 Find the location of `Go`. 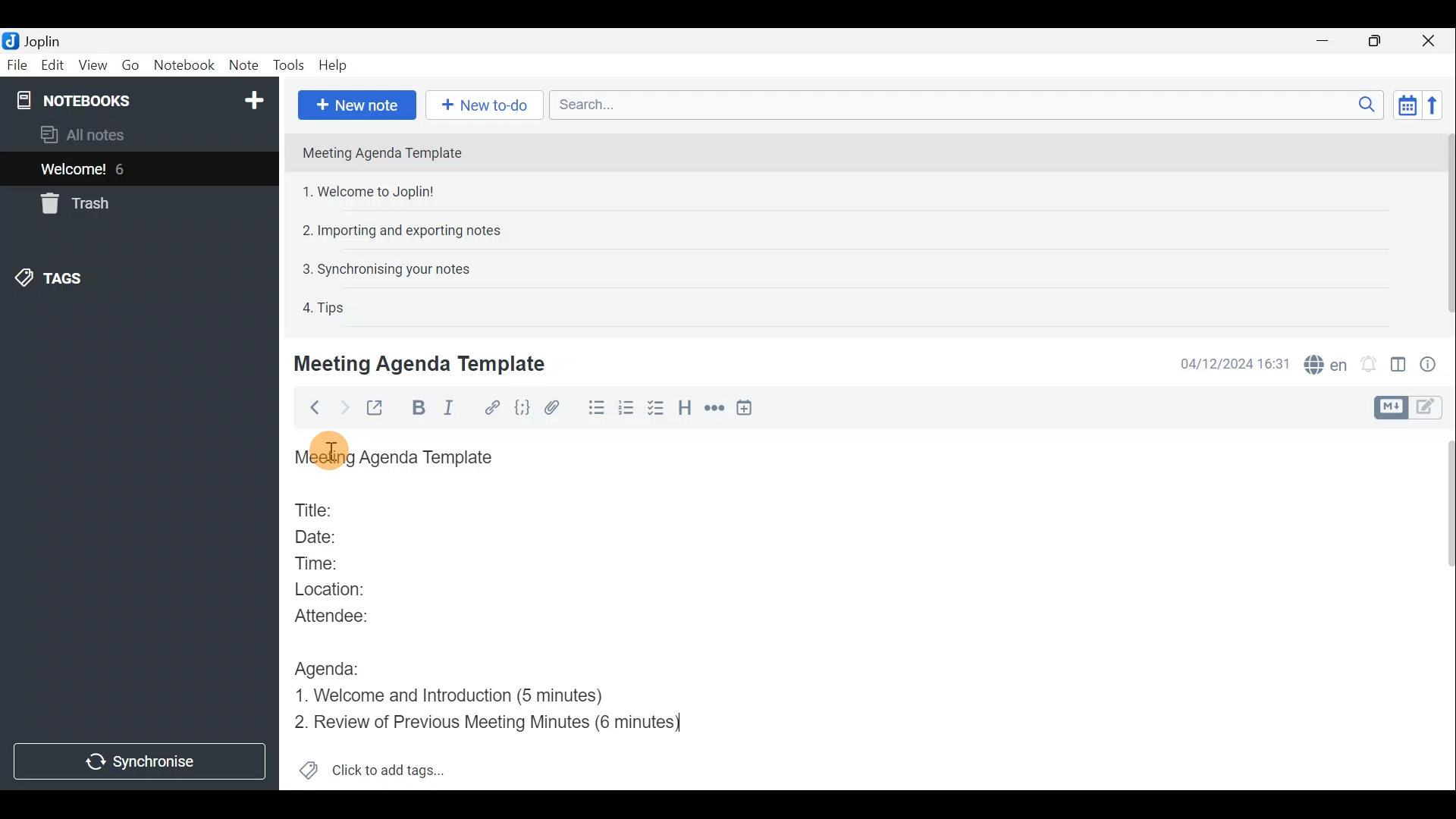

Go is located at coordinates (129, 64).